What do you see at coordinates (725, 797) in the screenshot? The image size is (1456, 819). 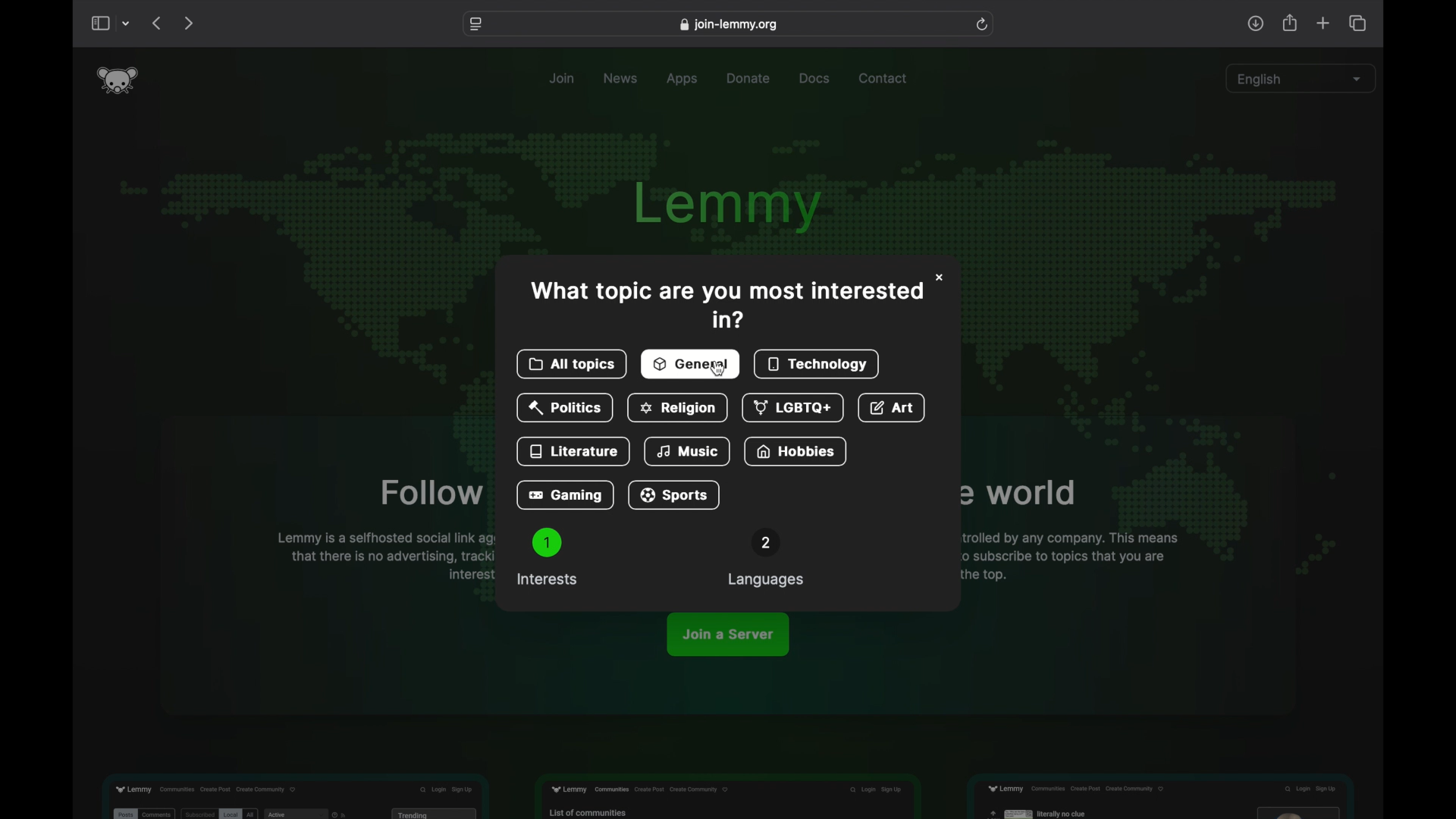 I see `feature preview` at bounding box center [725, 797].